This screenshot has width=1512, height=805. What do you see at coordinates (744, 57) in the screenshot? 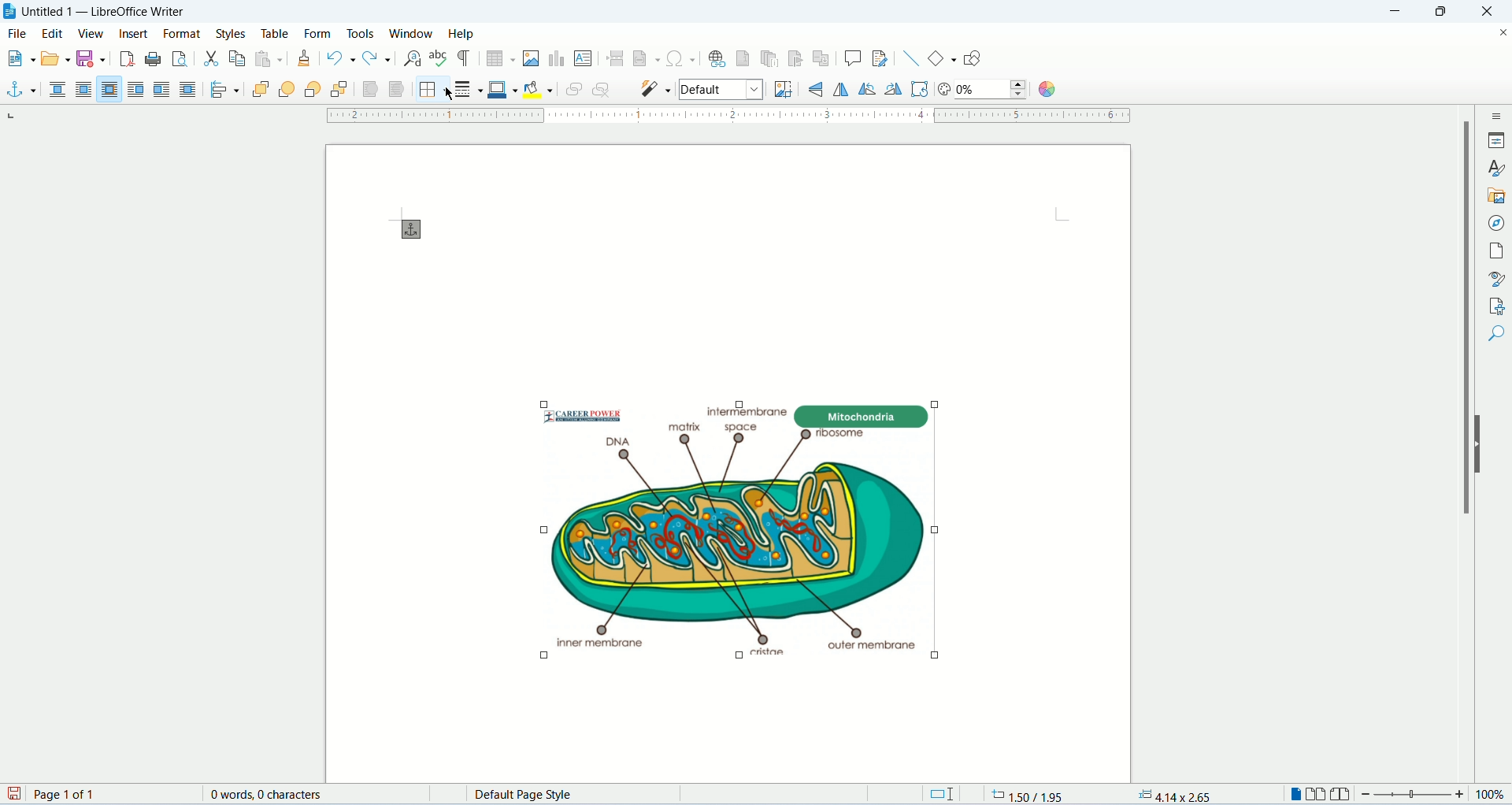
I see `insert footnote` at bounding box center [744, 57].